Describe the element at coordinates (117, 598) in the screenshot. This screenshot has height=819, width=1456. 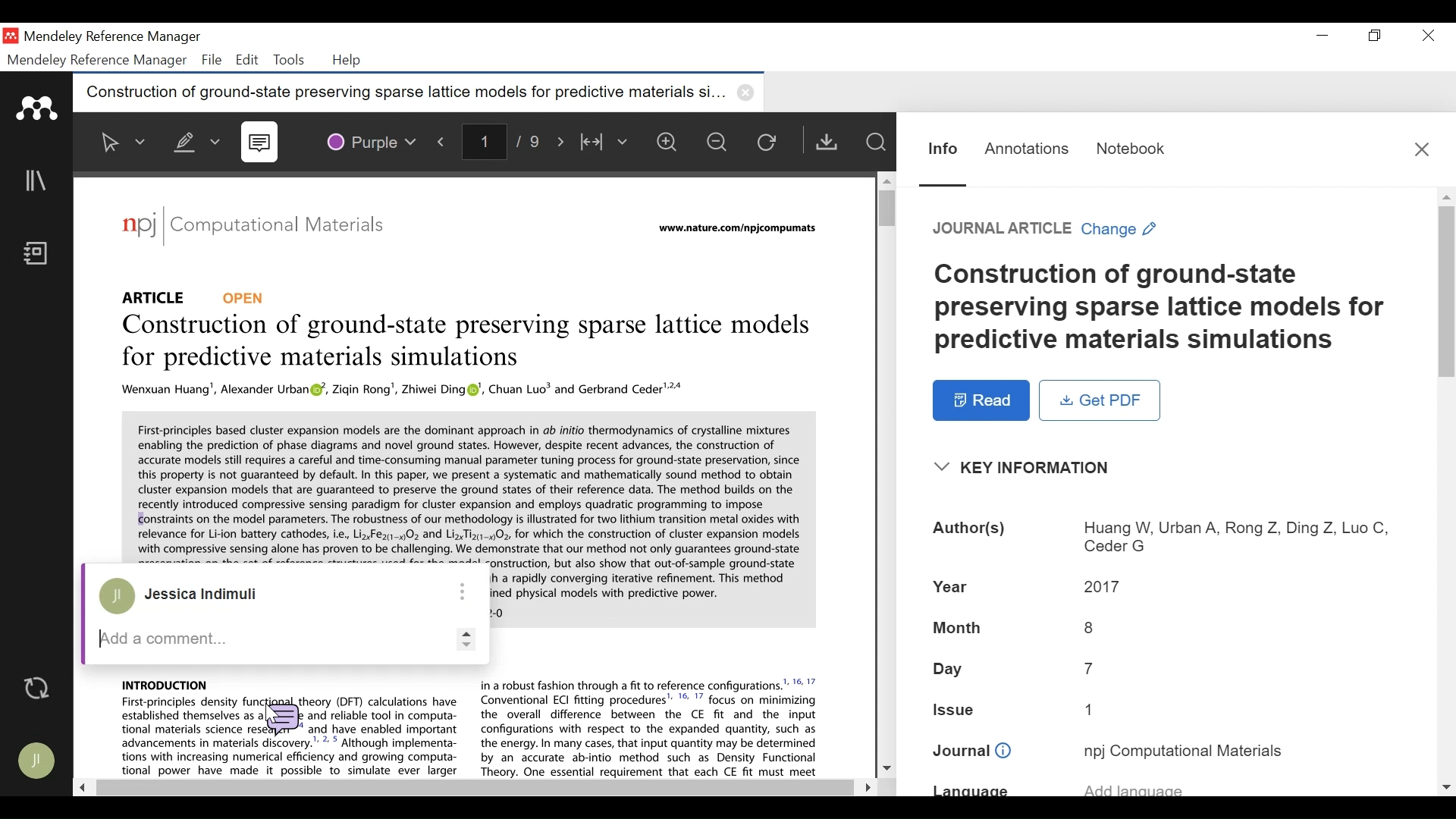
I see `Avatar ` at that location.